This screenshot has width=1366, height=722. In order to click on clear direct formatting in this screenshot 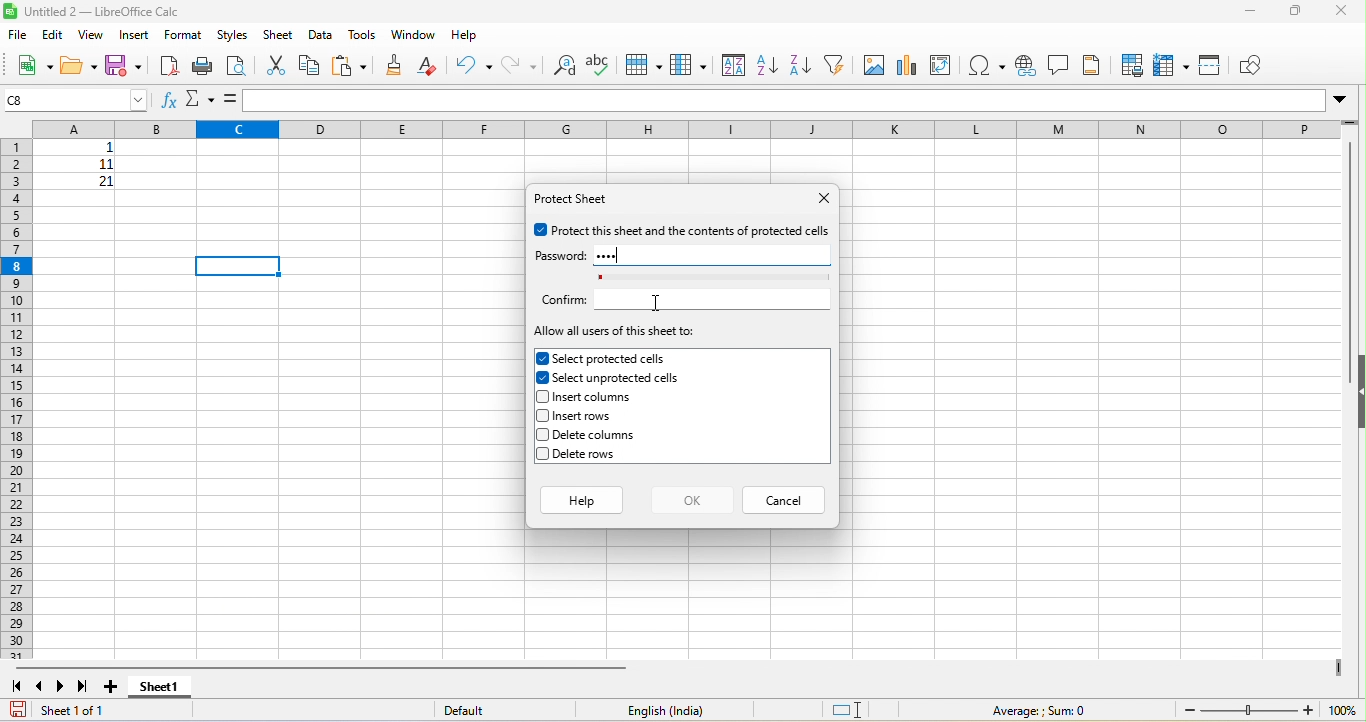, I will do `click(432, 66)`.